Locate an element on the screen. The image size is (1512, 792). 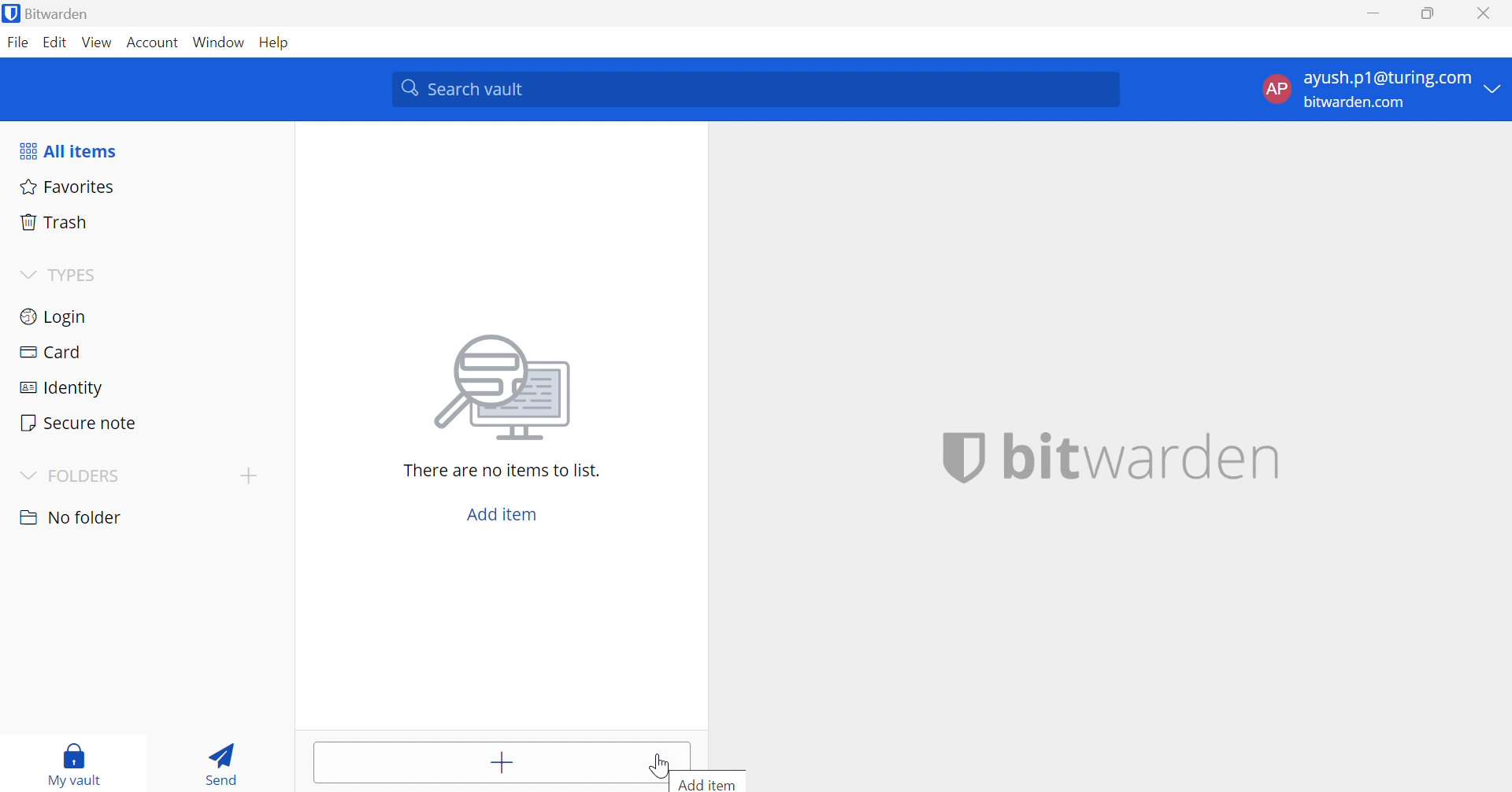
Add folder is located at coordinates (246, 475).